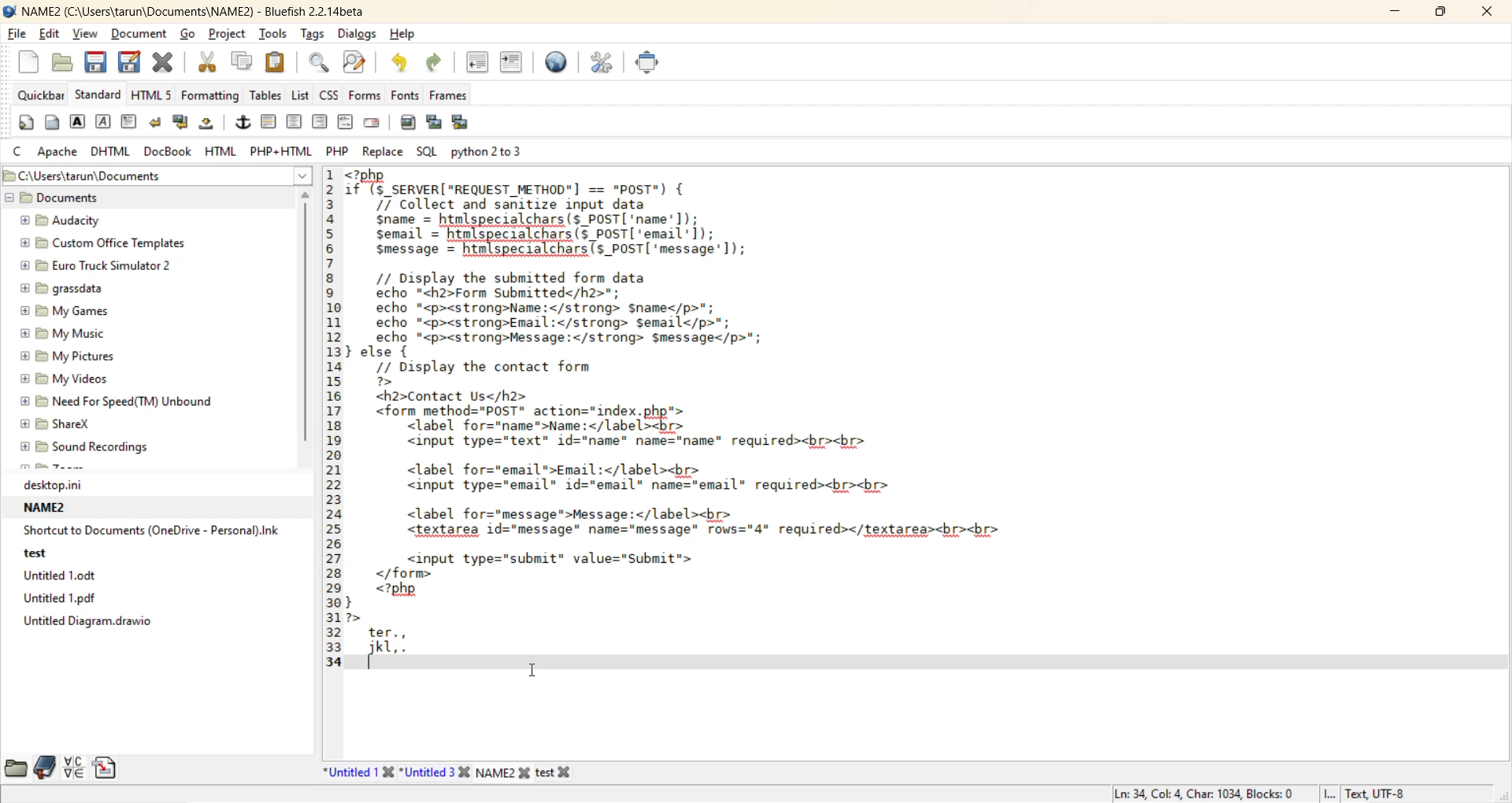 The height and width of the screenshot is (803, 1512). I want to click on break and clear, so click(184, 124).